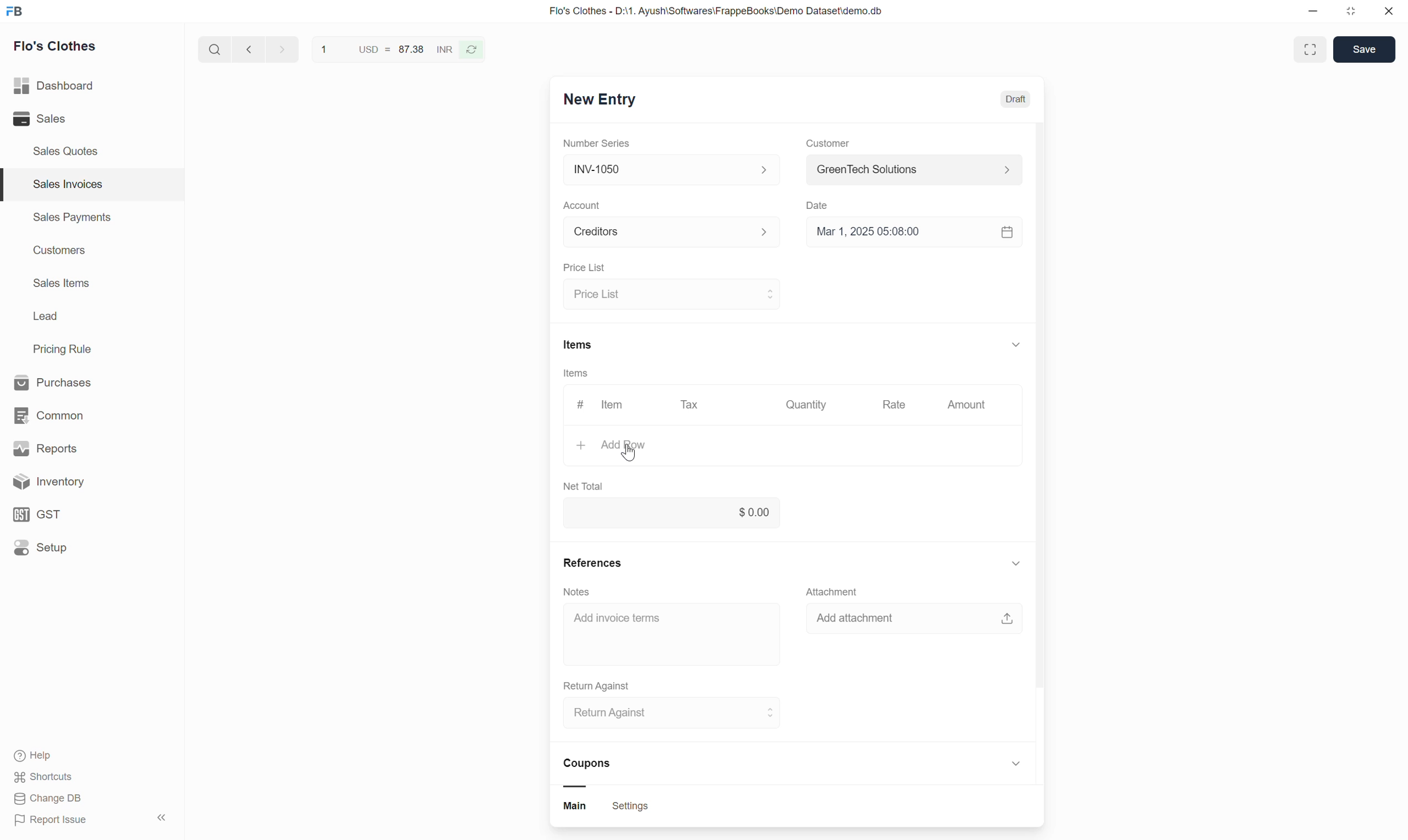 The height and width of the screenshot is (840, 1408). I want to click on Rate, so click(896, 406).